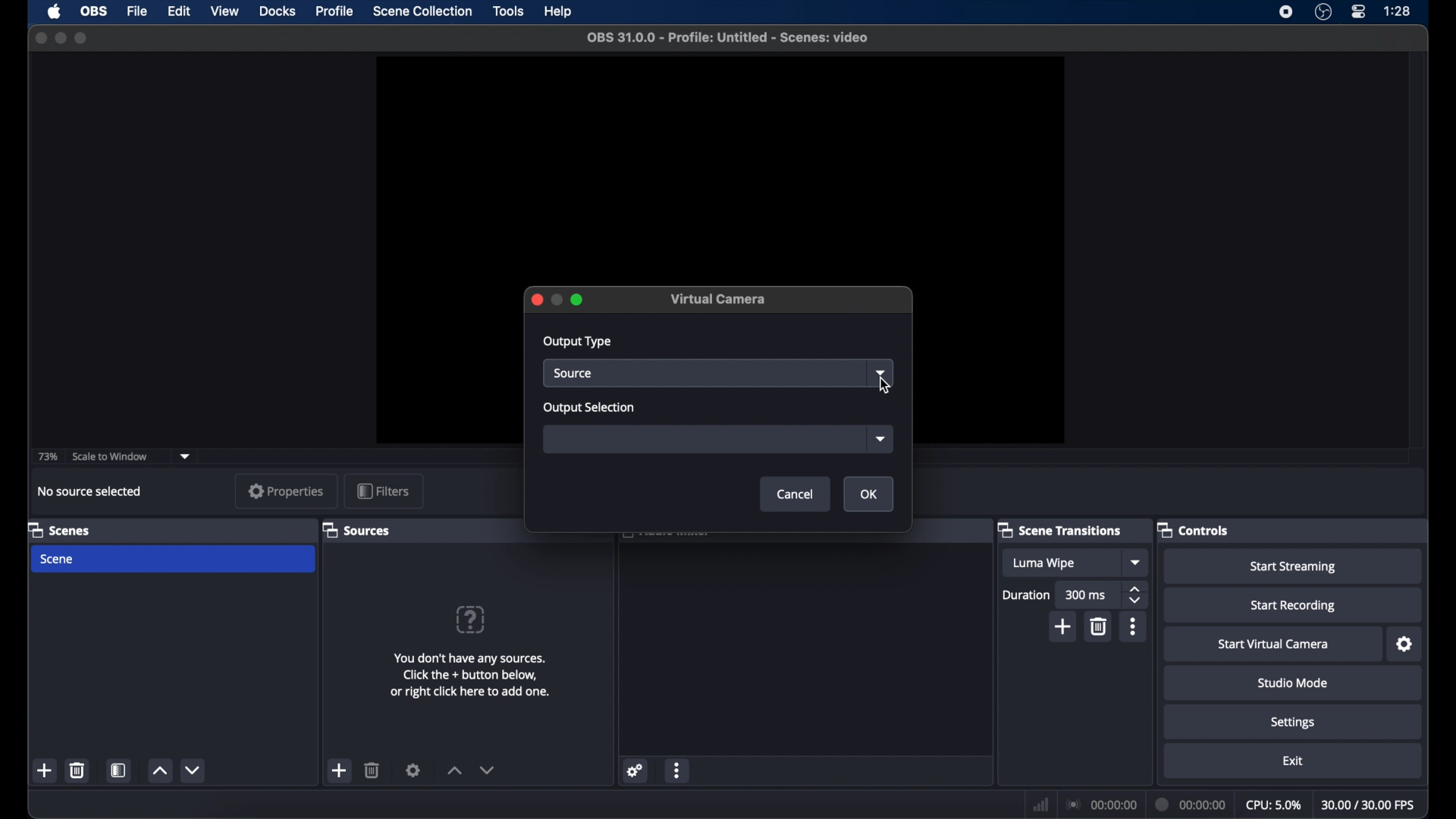  I want to click on 300 ms, so click(1087, 595).